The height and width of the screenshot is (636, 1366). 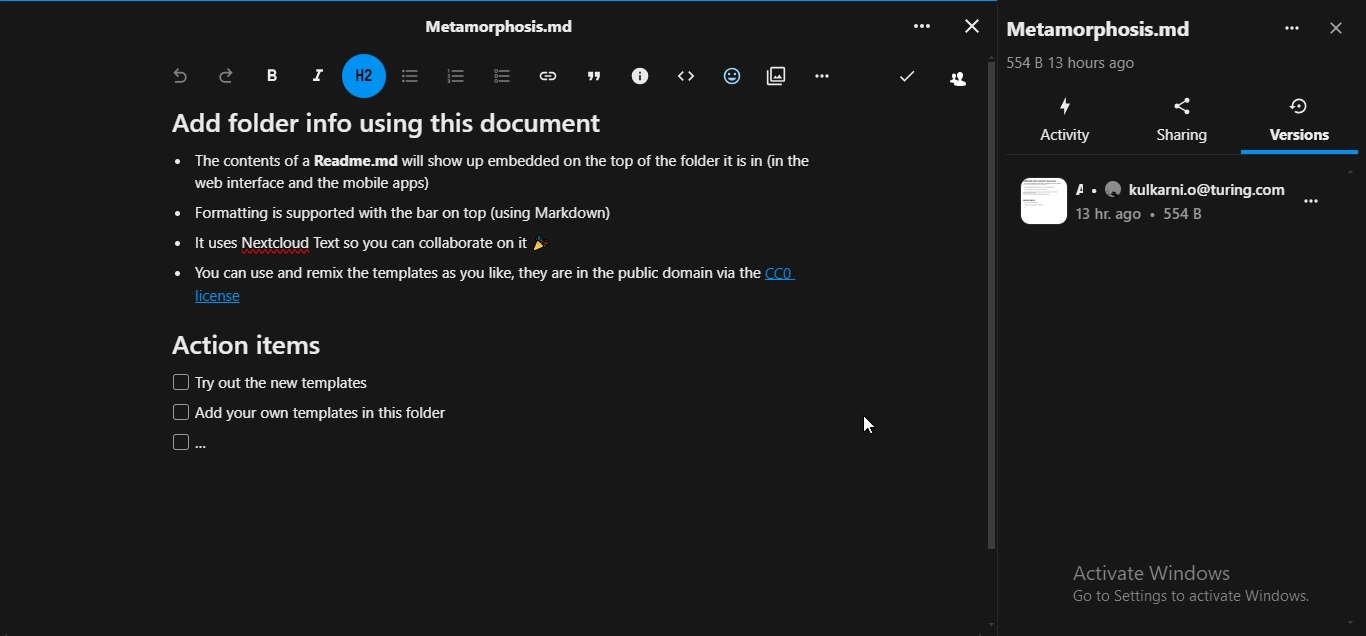 I want to click on close, so click(x=1339, y=30).